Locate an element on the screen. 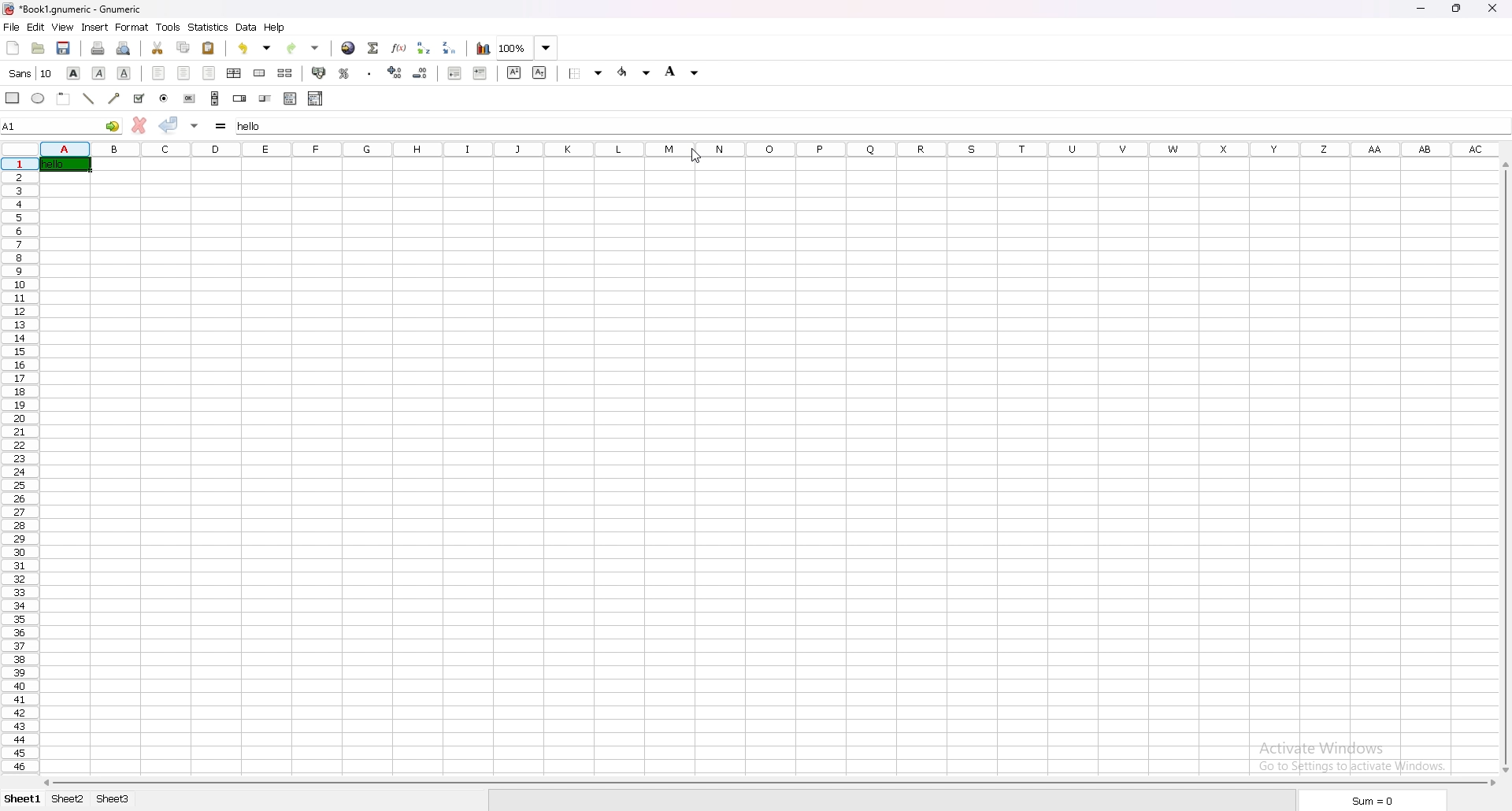  decrease decimals is located at coordinates (421, 72).